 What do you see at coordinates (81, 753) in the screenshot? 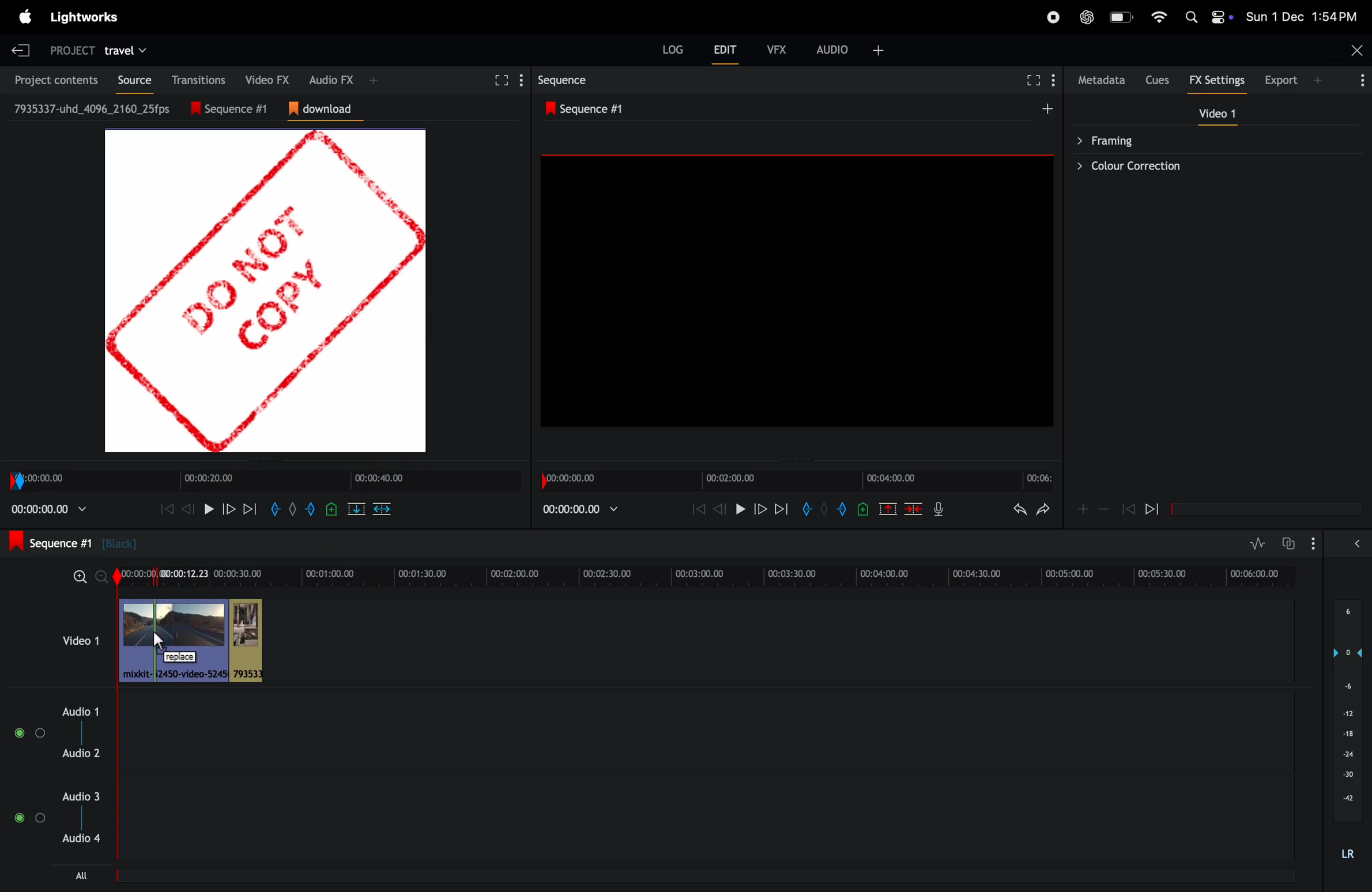
I see `audio 2` at bounding box center [81, 753].